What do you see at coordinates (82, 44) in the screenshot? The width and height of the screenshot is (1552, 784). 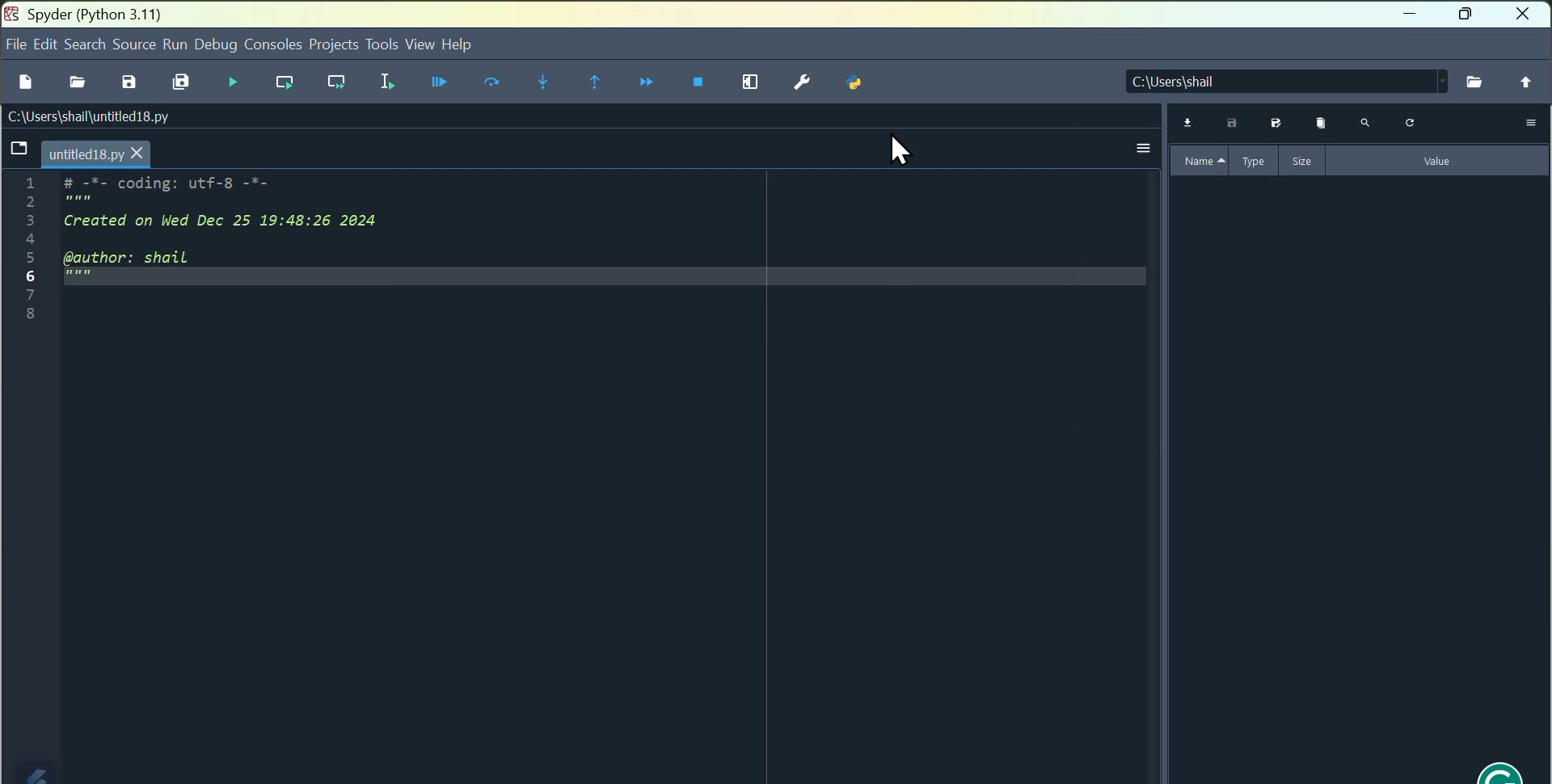 I see `Search` at bounding box center [82, 44].